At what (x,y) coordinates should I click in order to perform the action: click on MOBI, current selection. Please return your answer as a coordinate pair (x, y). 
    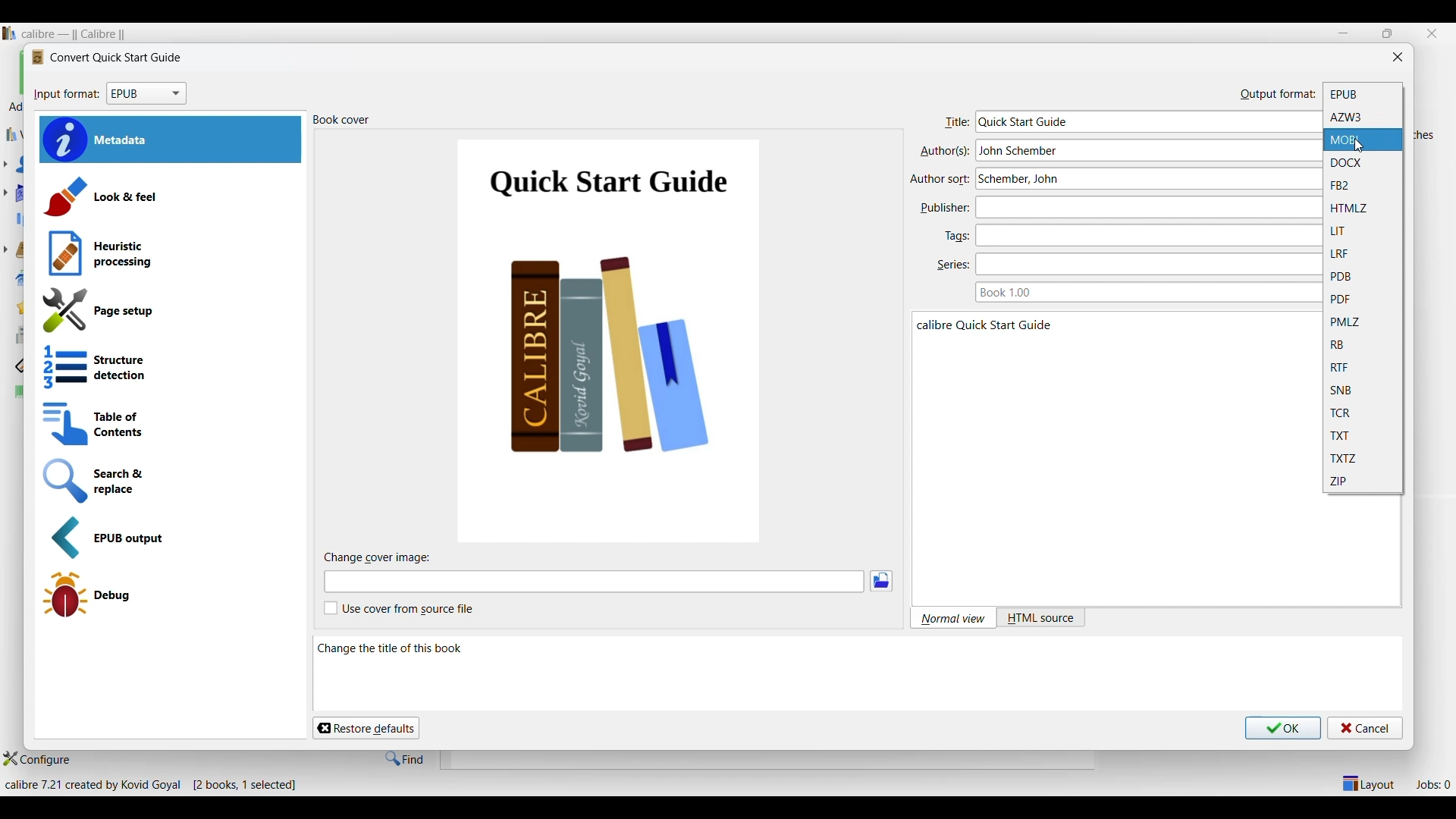
    Looking at the image, I should click on (1363, 140).